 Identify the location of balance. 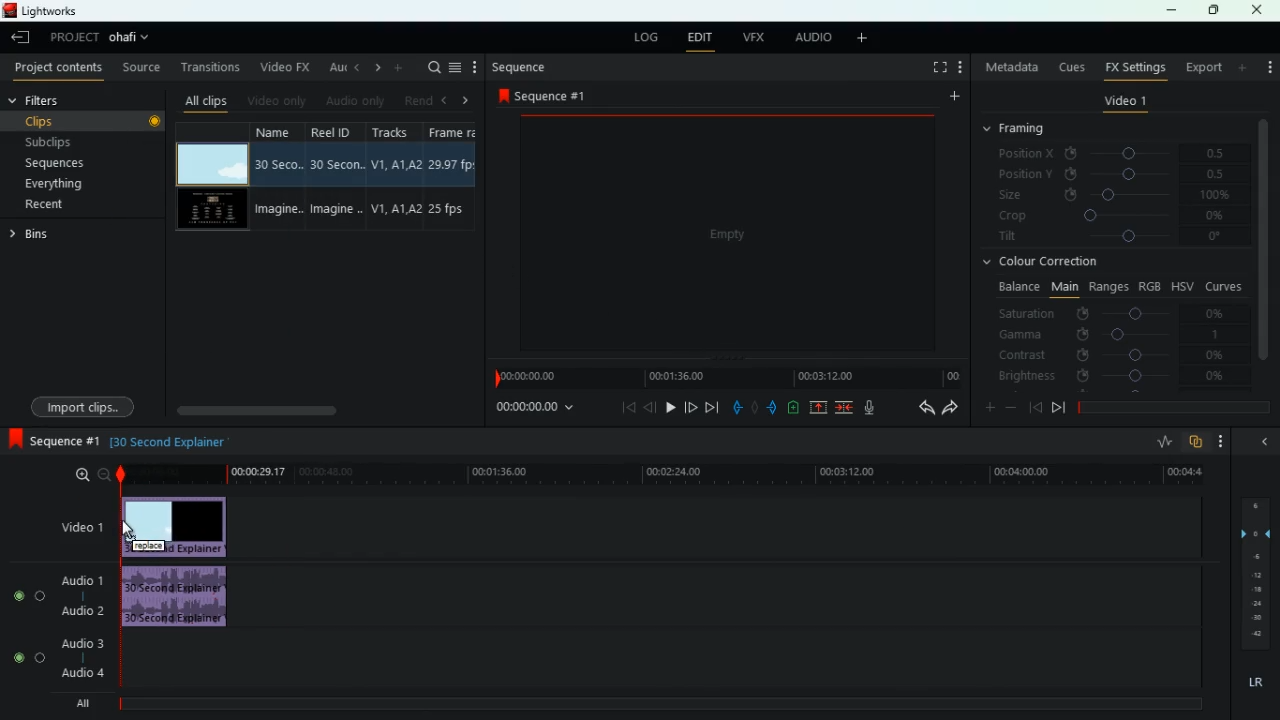
(1016, 287).